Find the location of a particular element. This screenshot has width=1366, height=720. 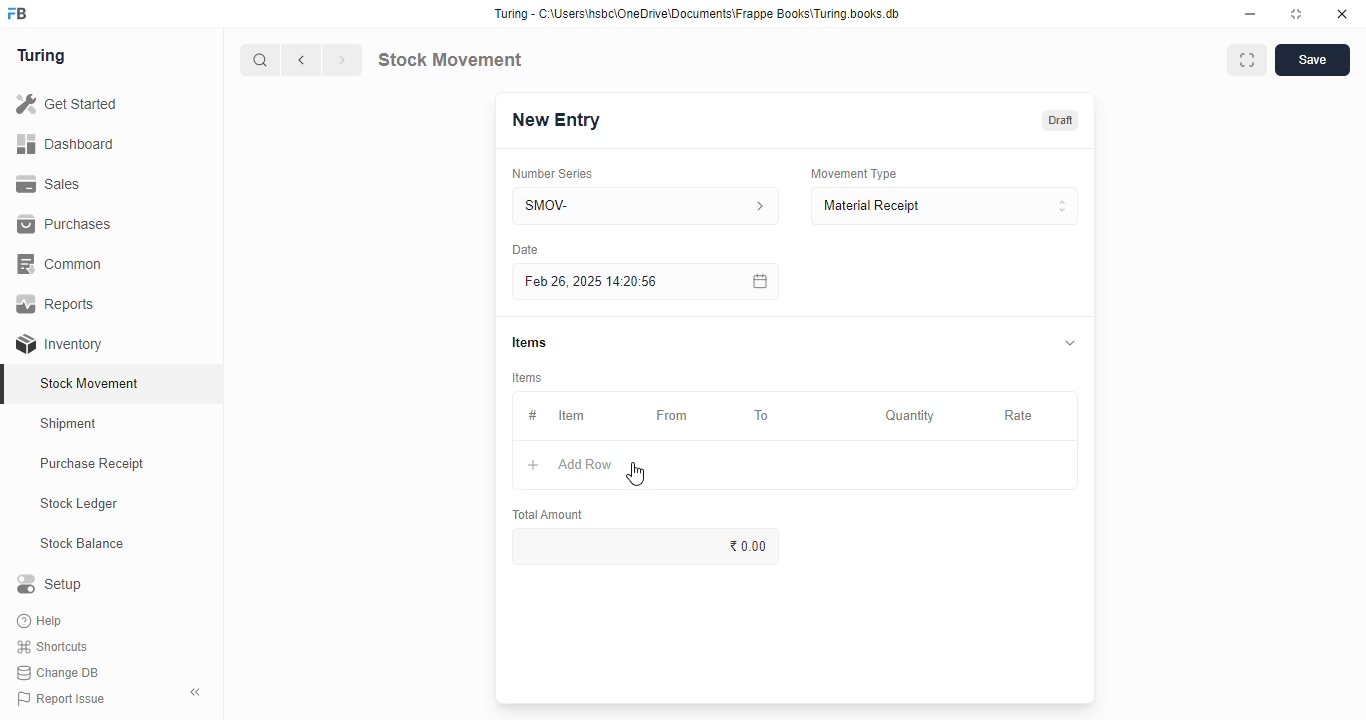

stock movement is located at coordinates (91, 383).